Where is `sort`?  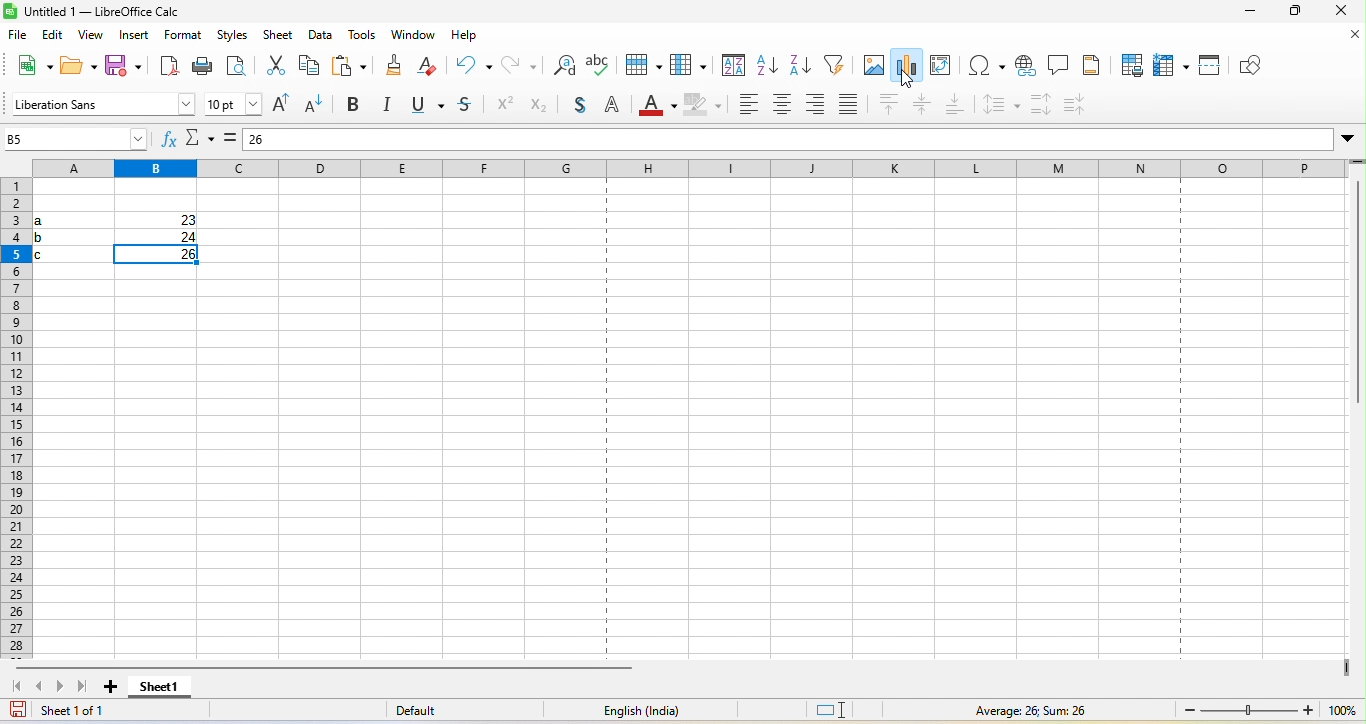 sort is located at coordinates (735, 65).